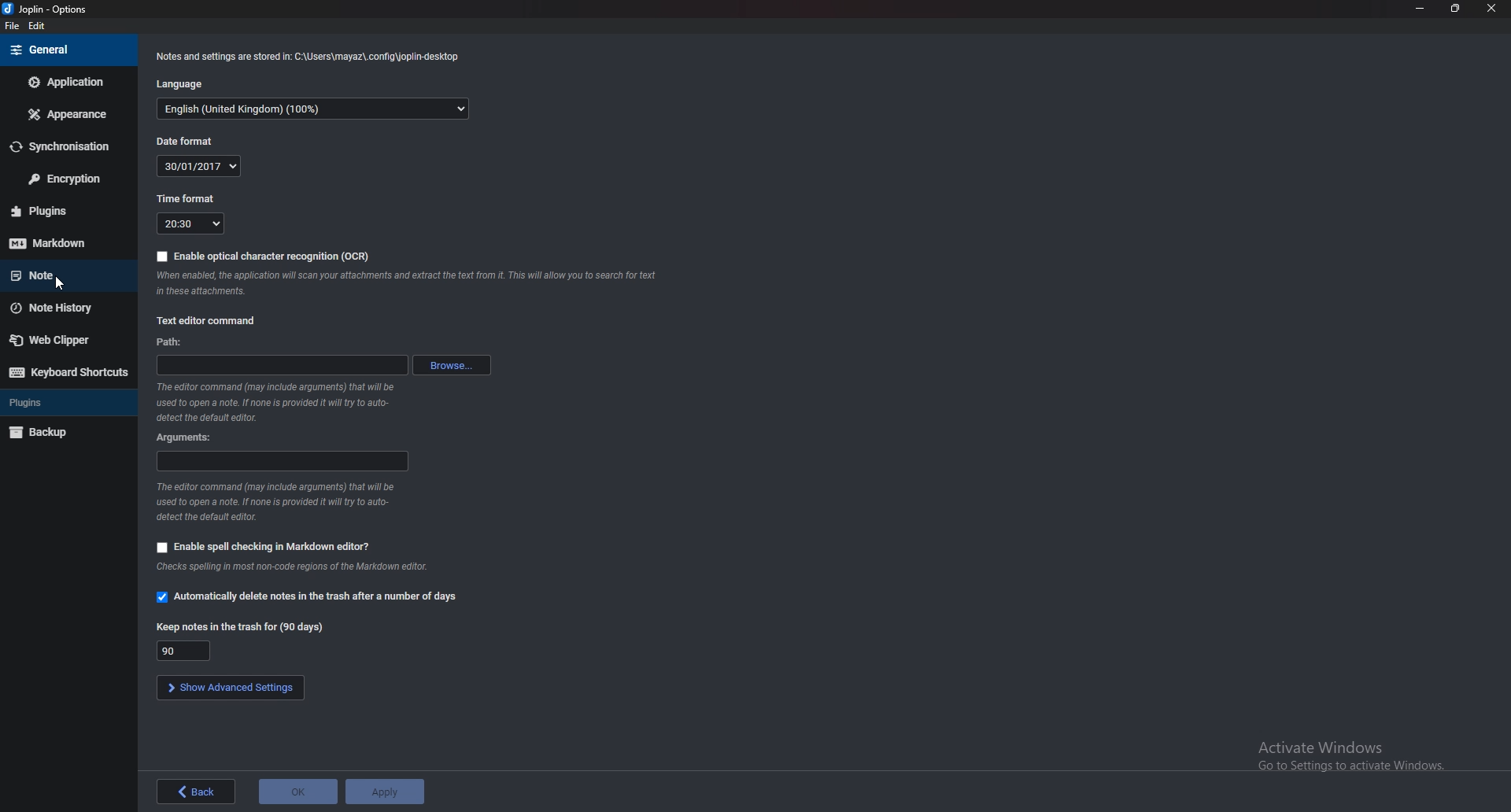 The height and width of the screenshot is (812, 1511). What do you see at coordinates (246, 626) in the screenshot?
I see `Keep notes in the trash for` at bounding box center [246, 626].